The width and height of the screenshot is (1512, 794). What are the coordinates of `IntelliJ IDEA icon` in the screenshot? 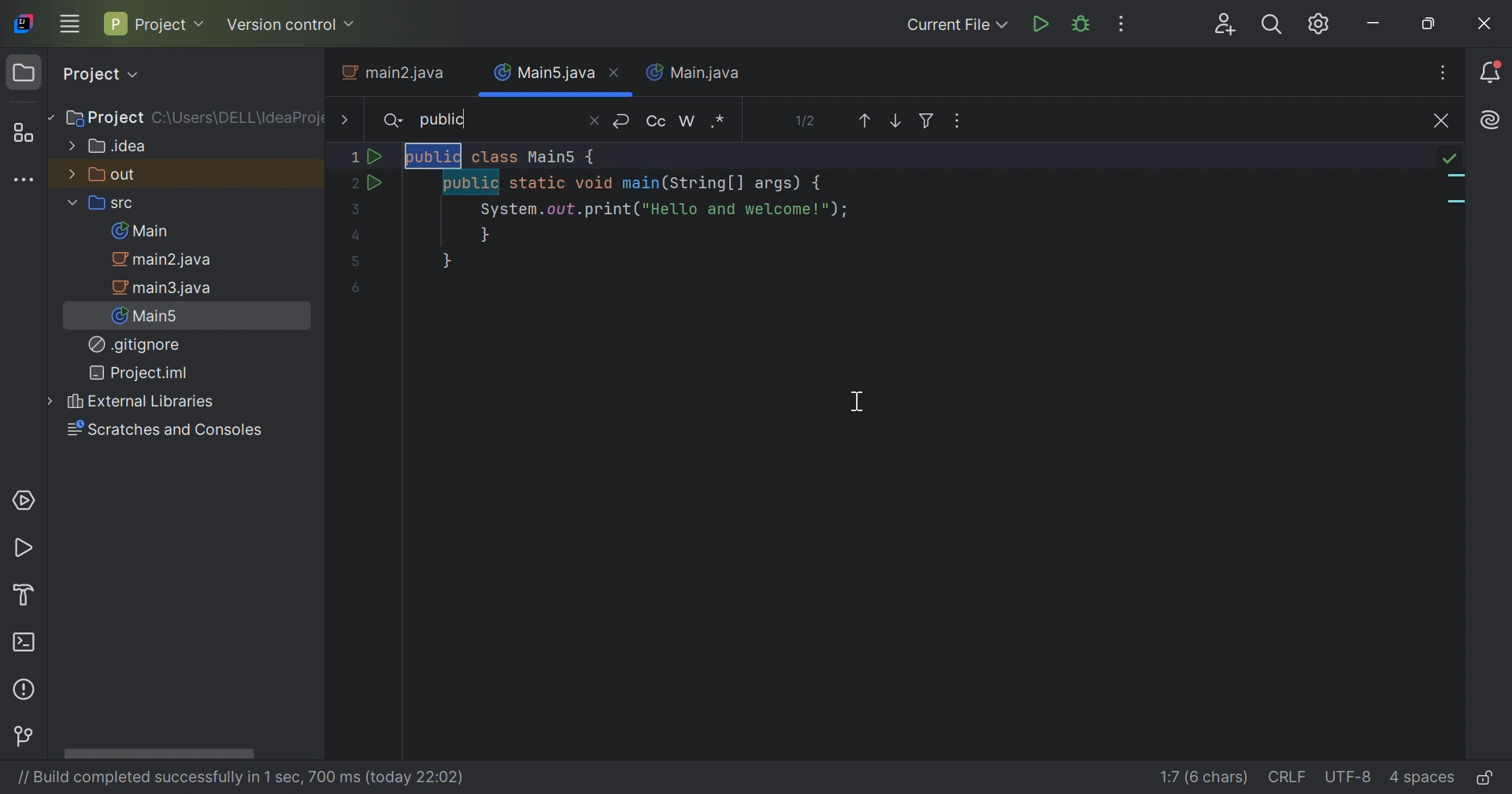 It's located at (24, 21).